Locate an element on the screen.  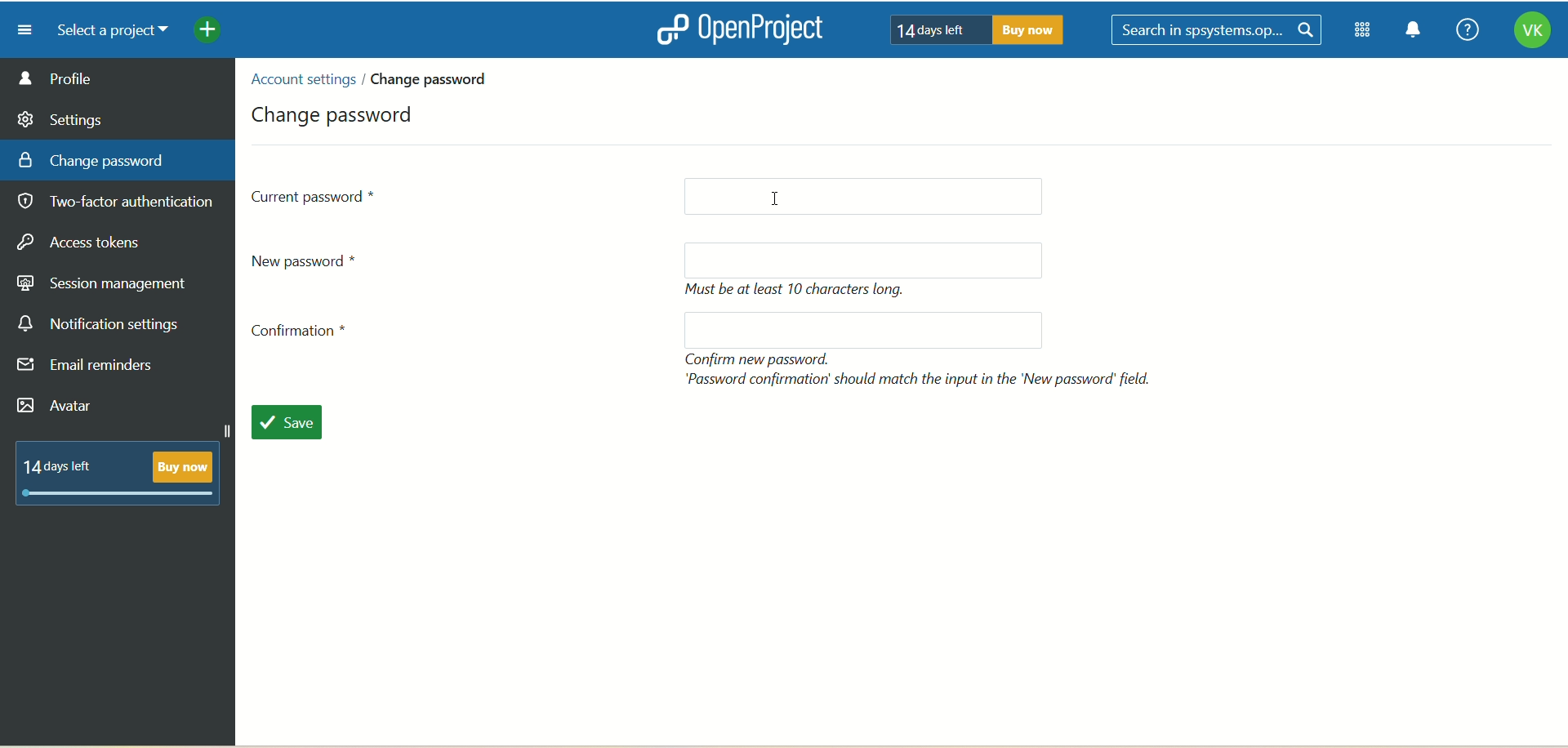
current password is located at coordinates (315, 195).